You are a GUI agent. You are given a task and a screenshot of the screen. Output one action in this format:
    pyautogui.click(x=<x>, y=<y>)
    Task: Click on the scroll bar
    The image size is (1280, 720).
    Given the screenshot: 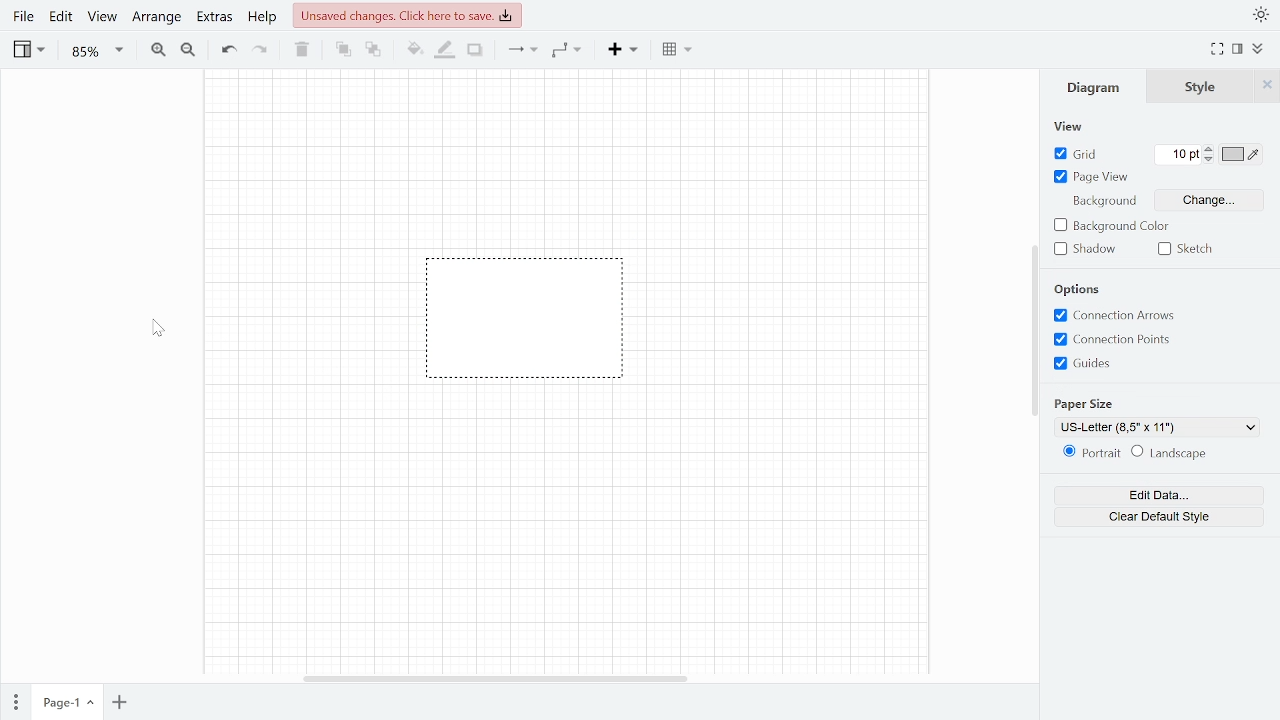 What is the action you would take?
    pyautogui.click(x=497, y=679)
    